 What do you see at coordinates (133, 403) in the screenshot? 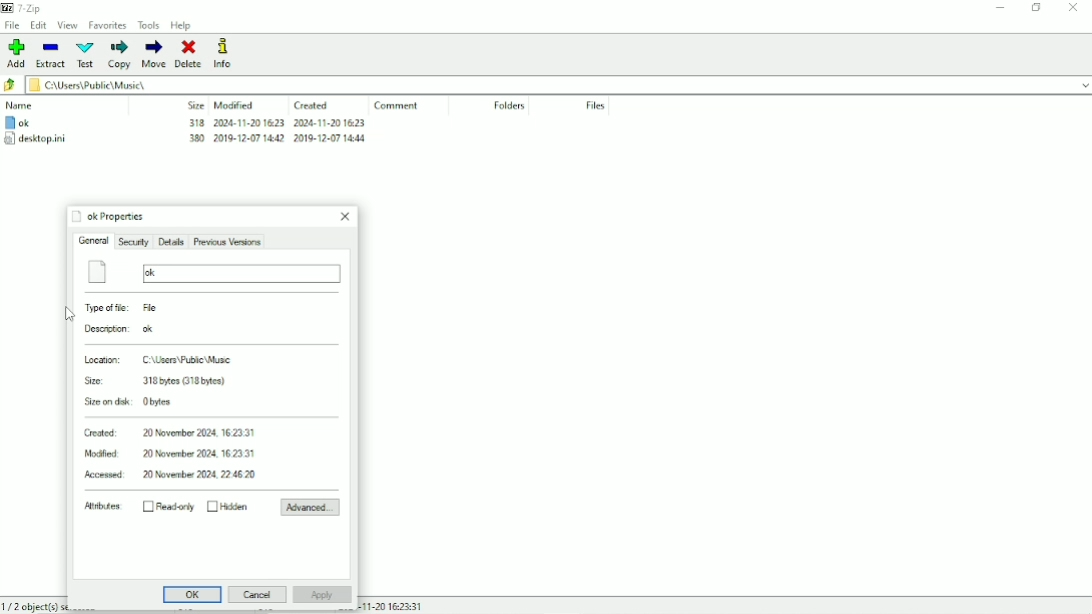
I see `Size on disk` at bounding box center [133, 403].